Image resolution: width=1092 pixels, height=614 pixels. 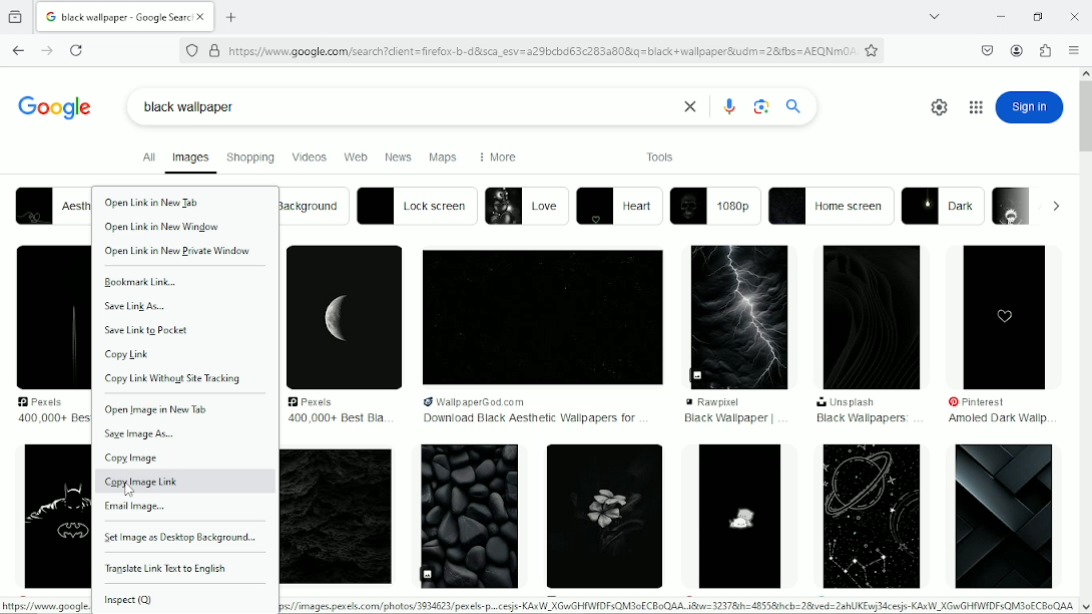 I want to click on videos, so click(x=309, y=156).